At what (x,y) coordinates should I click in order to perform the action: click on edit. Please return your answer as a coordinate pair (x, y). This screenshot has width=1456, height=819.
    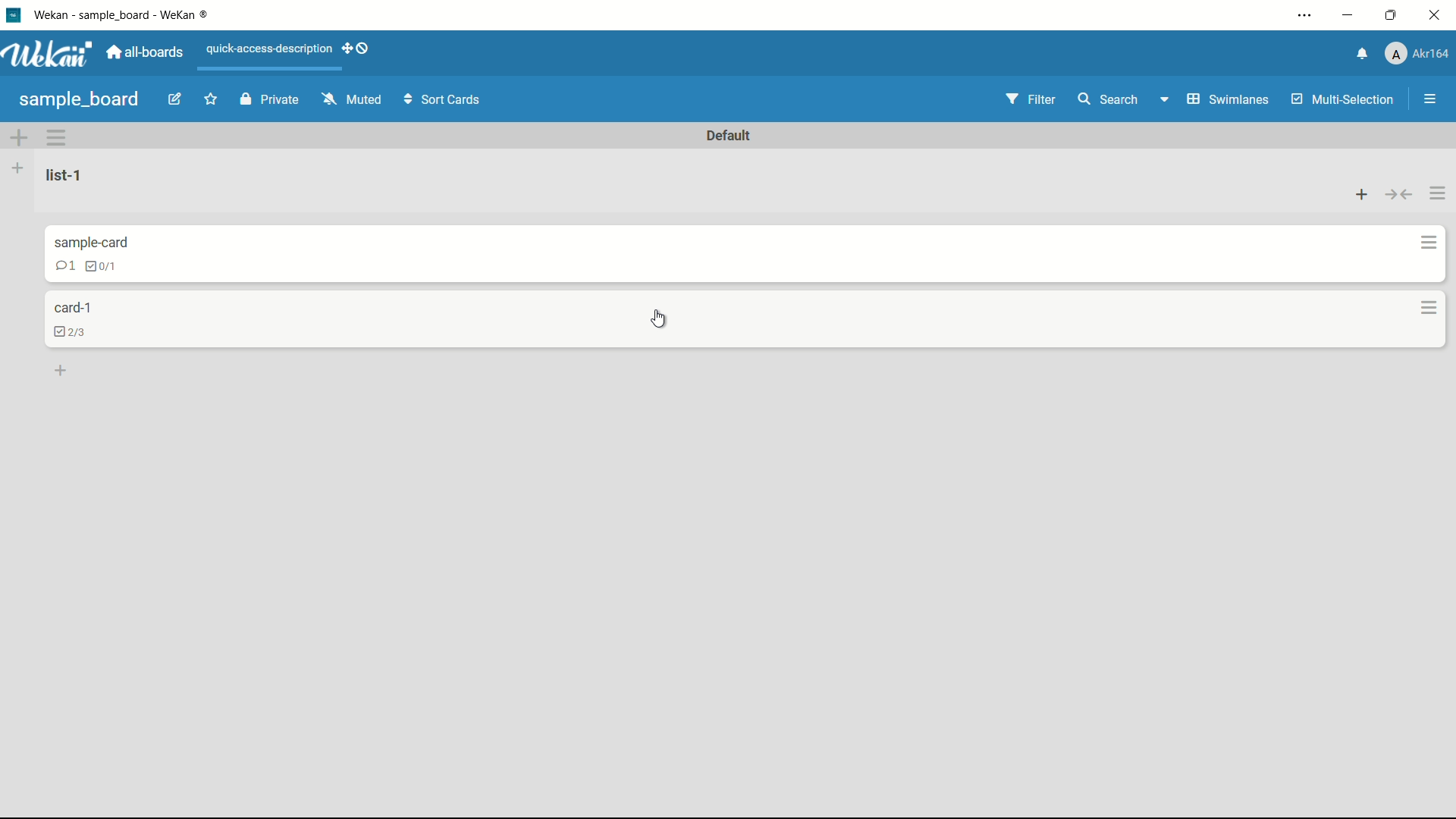
    Looking at the image, I should click on (175, 99).